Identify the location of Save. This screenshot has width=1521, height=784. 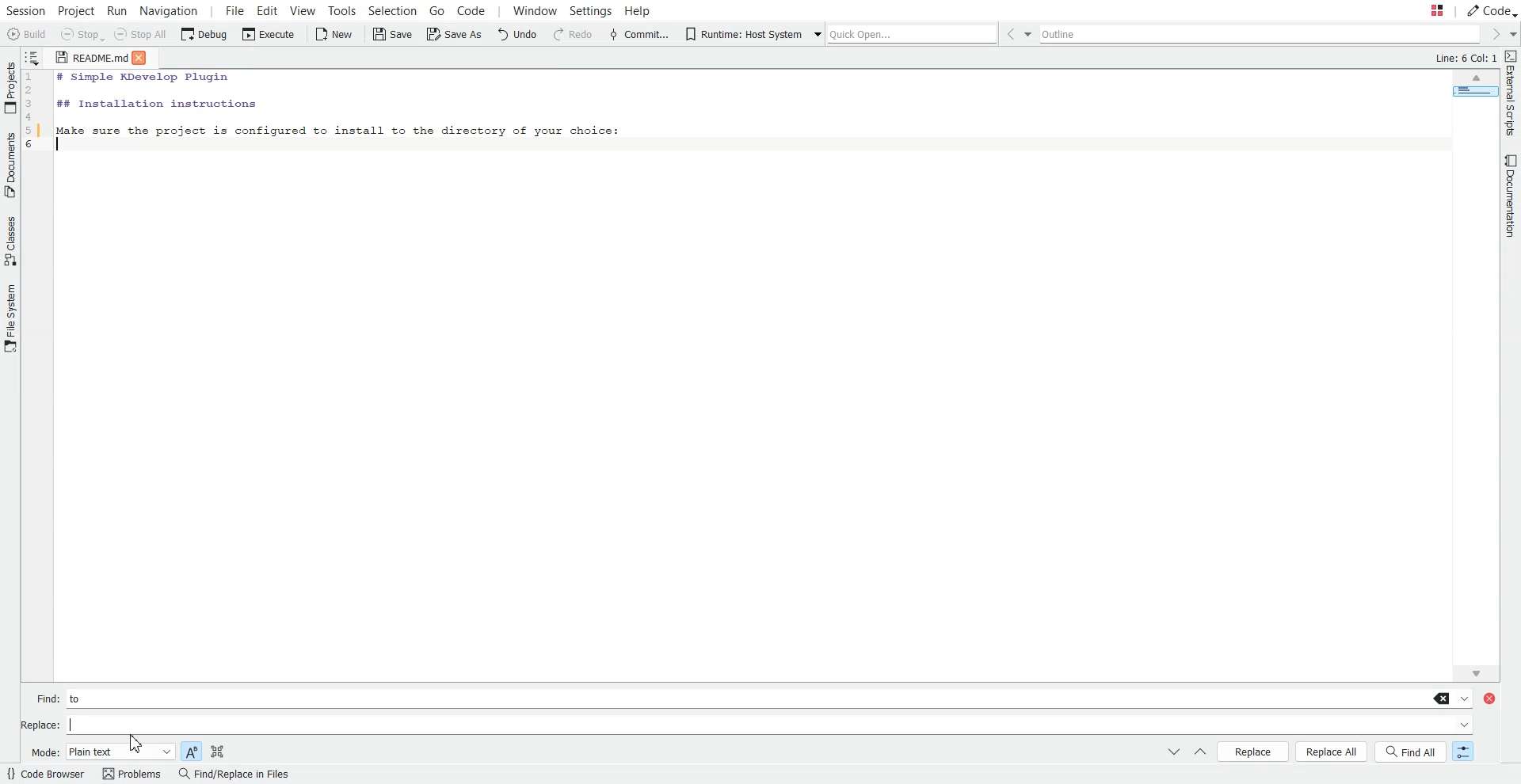
(391, 34).